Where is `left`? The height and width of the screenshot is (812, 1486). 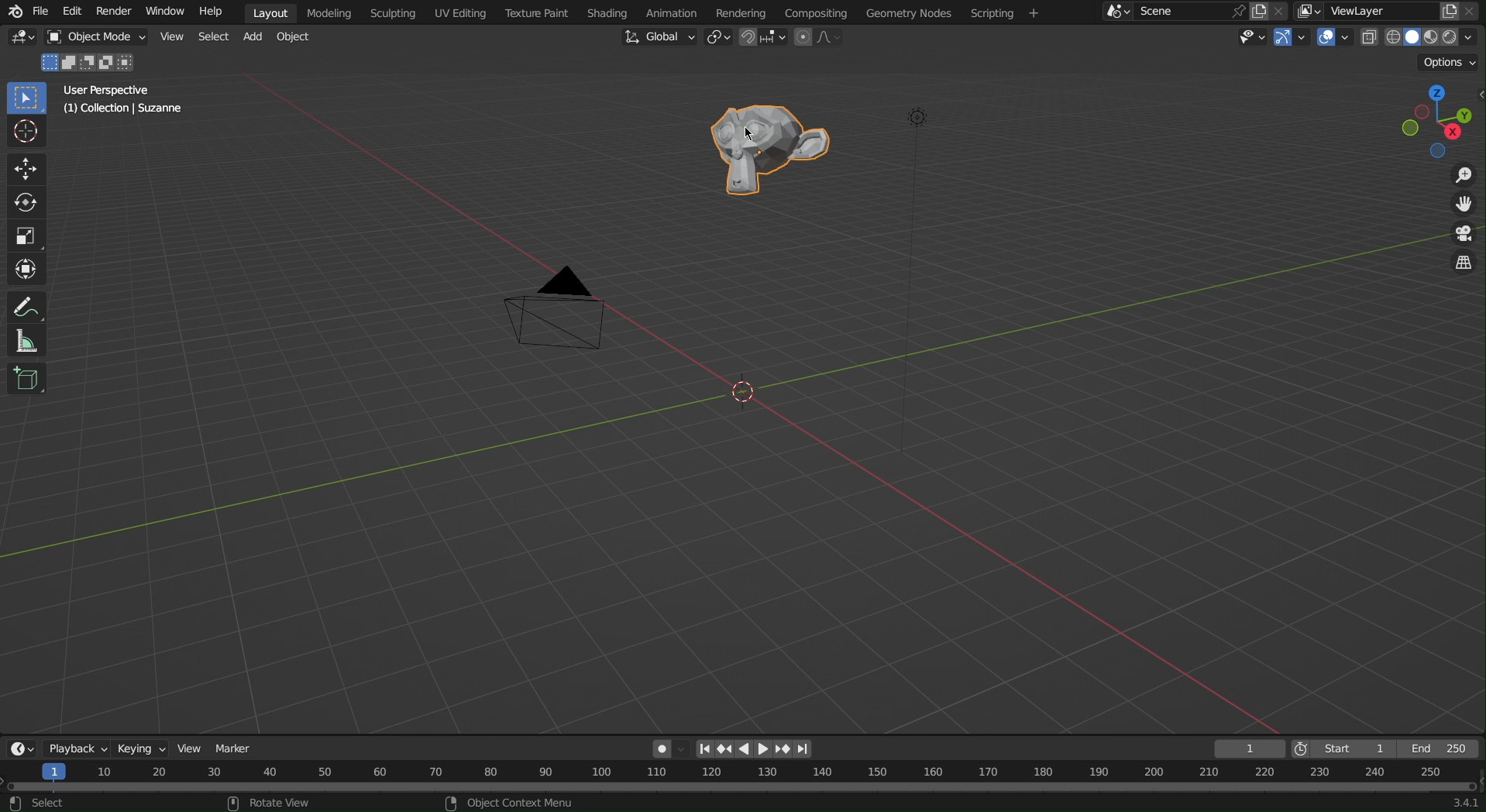
left is located at coordinates (749, 748).